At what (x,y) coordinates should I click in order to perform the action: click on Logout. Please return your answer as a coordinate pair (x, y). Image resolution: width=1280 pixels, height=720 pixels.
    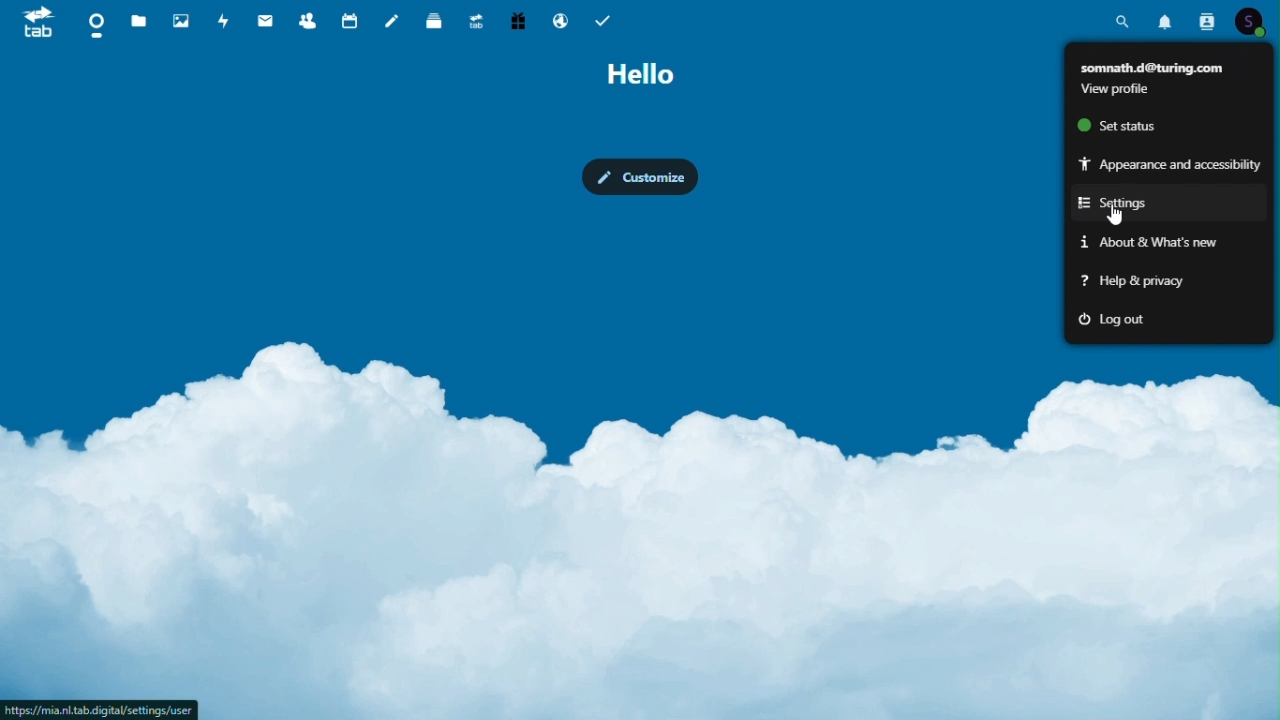
    Looking at the image, I should click on (1109, 321).